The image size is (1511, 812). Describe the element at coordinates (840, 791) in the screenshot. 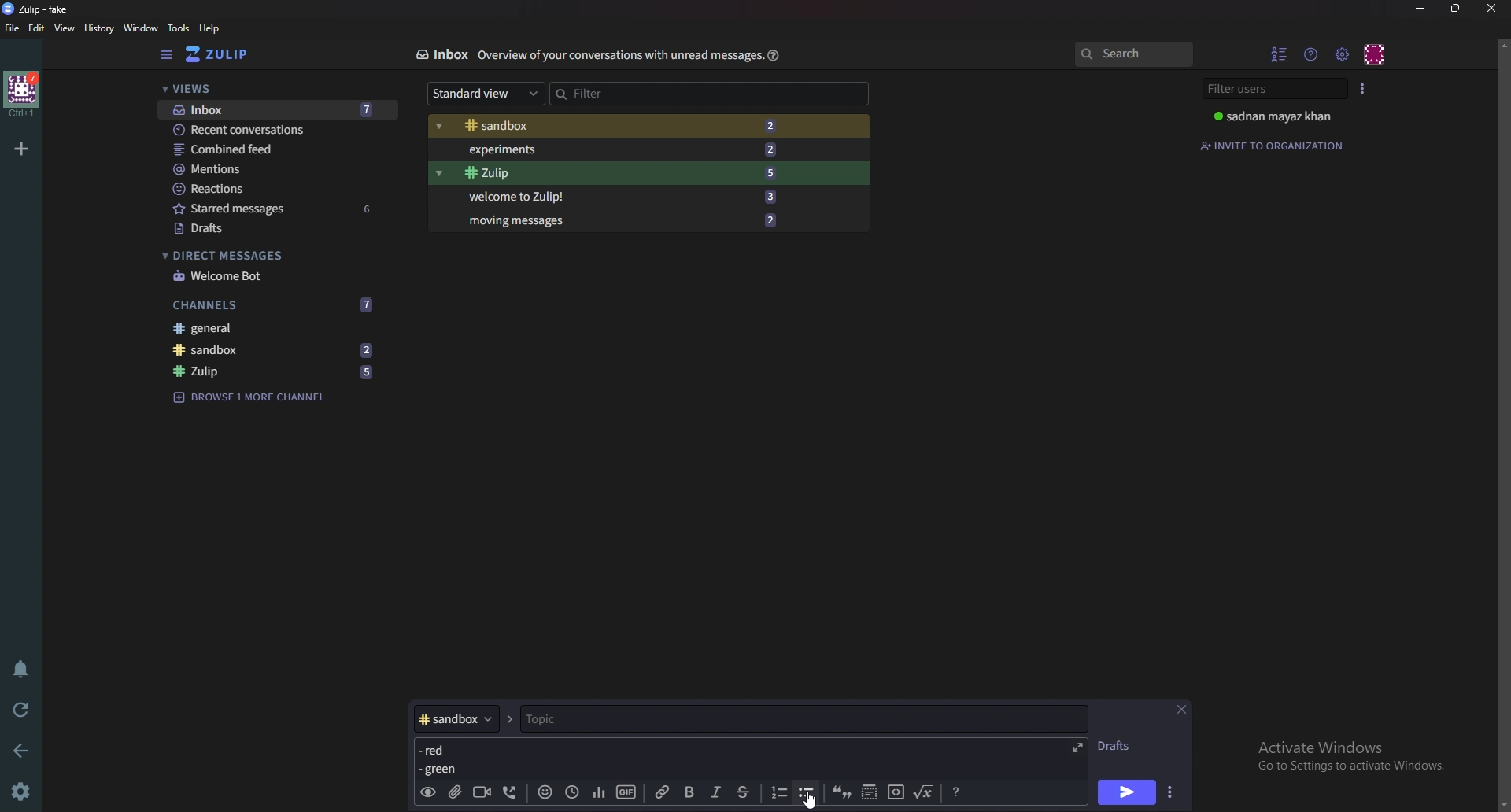

I see `quote` at that location.